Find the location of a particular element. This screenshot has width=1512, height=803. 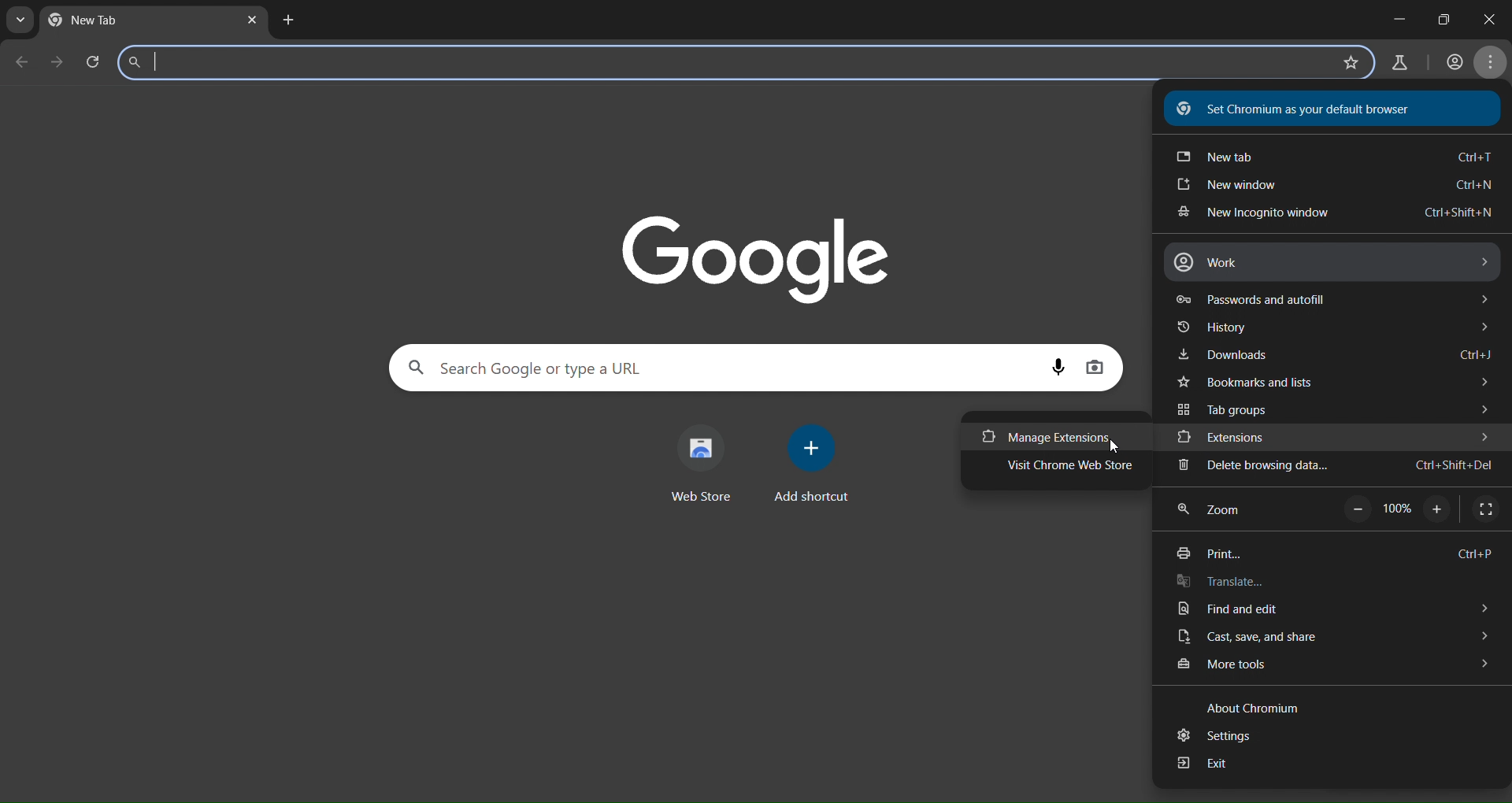

search labs is located at coordinates (1399, 62).